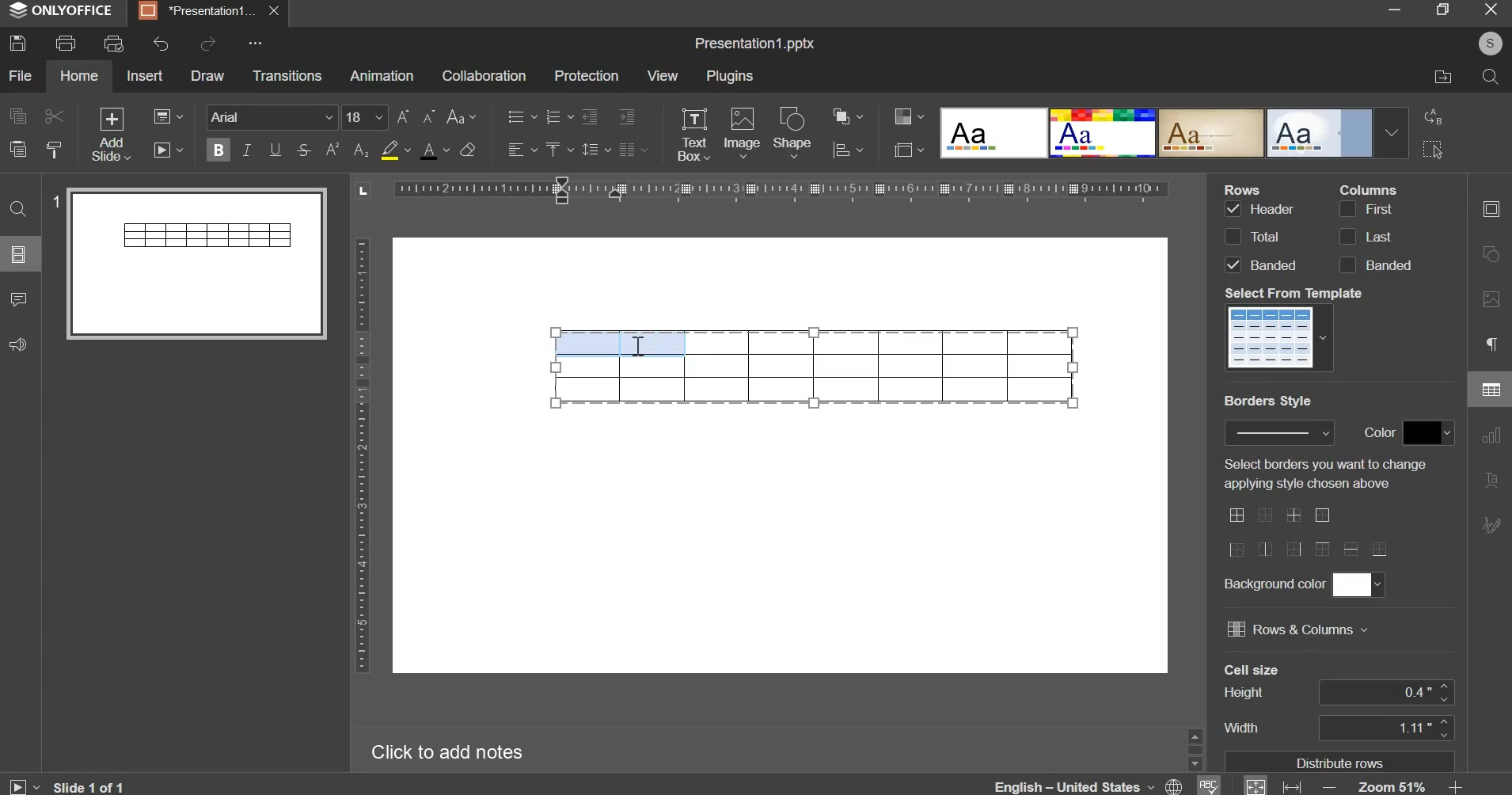 The image size is (1512, 795). I want to click on undo, so click(161, 44).